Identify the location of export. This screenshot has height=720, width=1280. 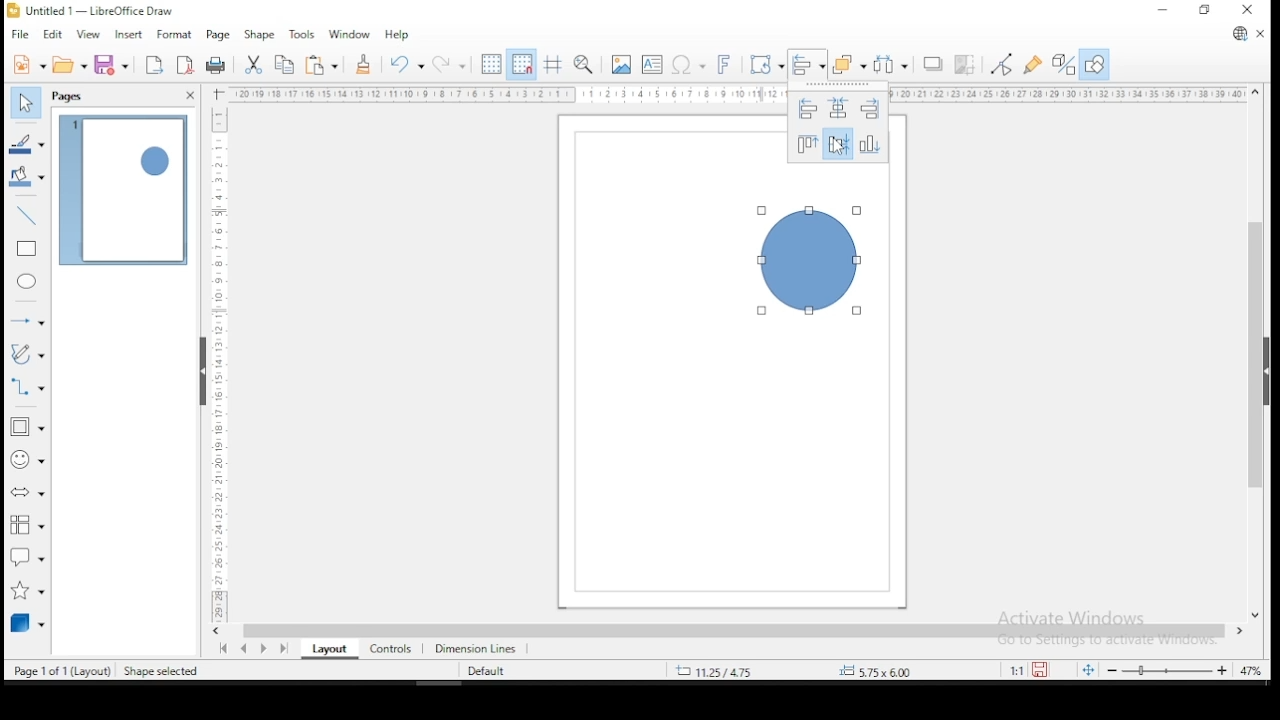
(152, 65).